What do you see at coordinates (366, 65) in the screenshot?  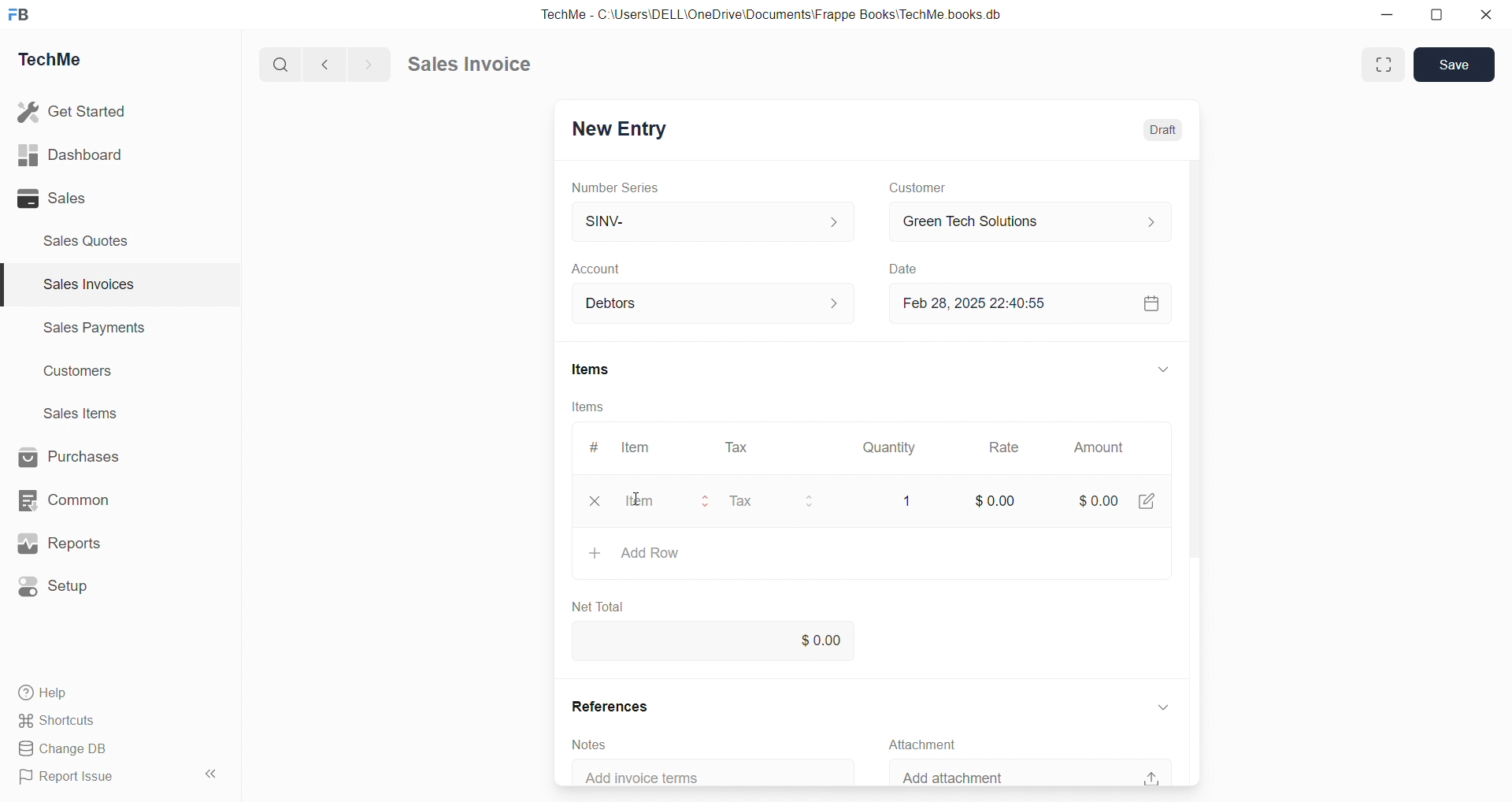 I see `forward` at bounding box center [366, 65].